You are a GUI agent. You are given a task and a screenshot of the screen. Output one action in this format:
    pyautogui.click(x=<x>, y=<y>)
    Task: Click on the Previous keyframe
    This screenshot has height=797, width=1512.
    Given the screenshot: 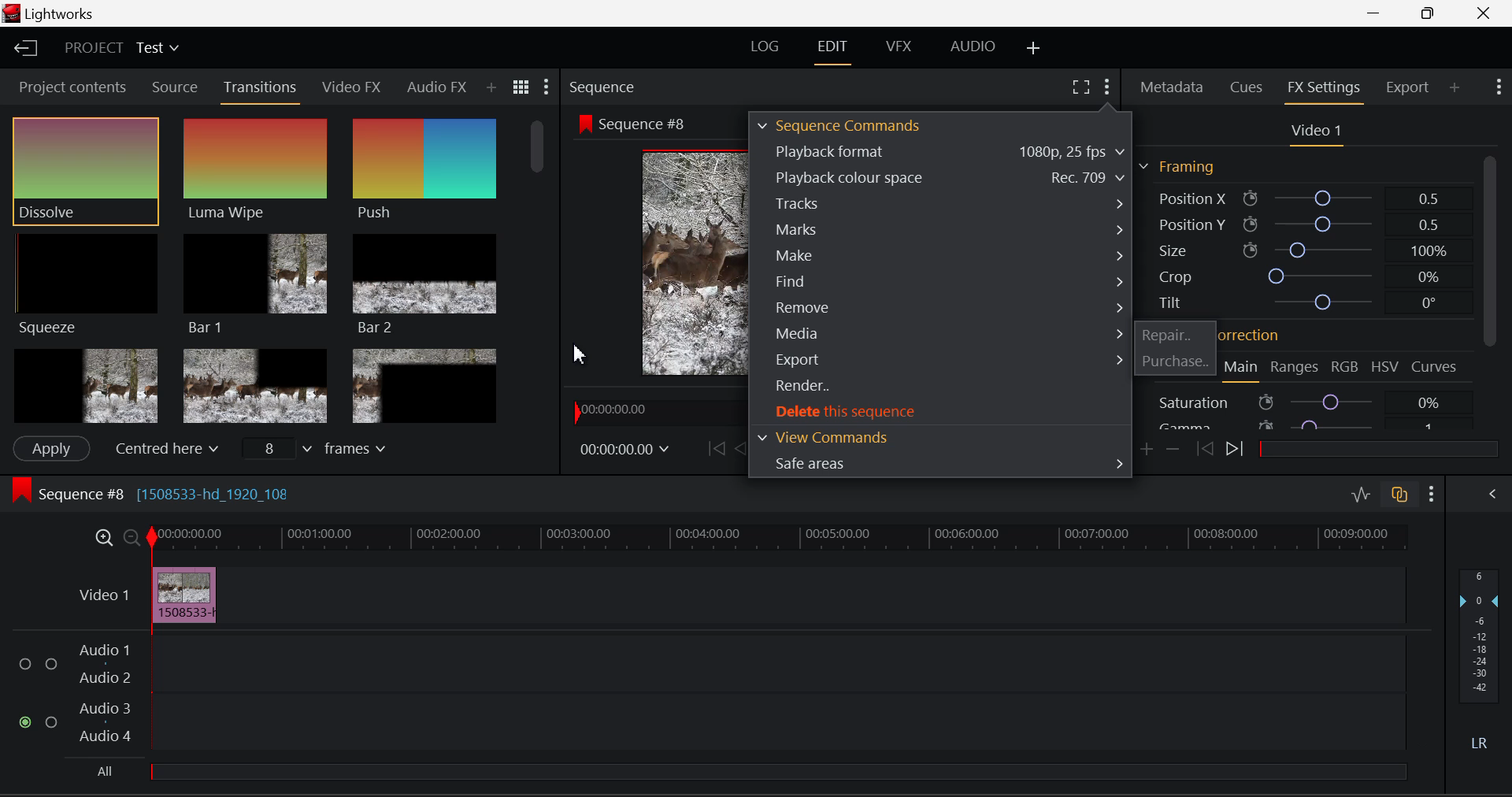 What is the action you would take?
    pyautogui.click(x=1206, y=448)
    